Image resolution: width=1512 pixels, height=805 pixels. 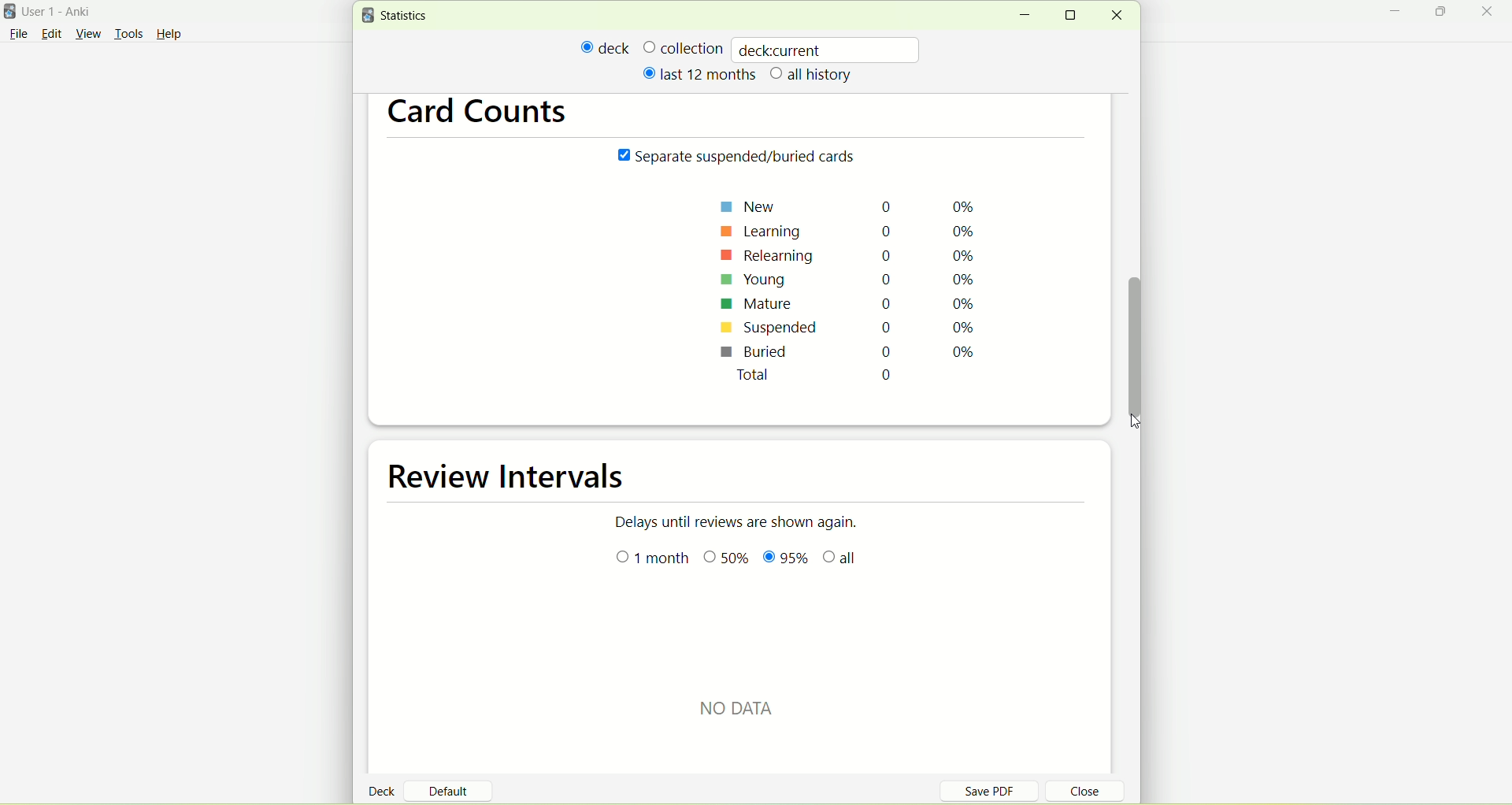 What do you see at coordinates (1490, 13) in the screenshot?
I see `close` at bounding box center [1490, 13].